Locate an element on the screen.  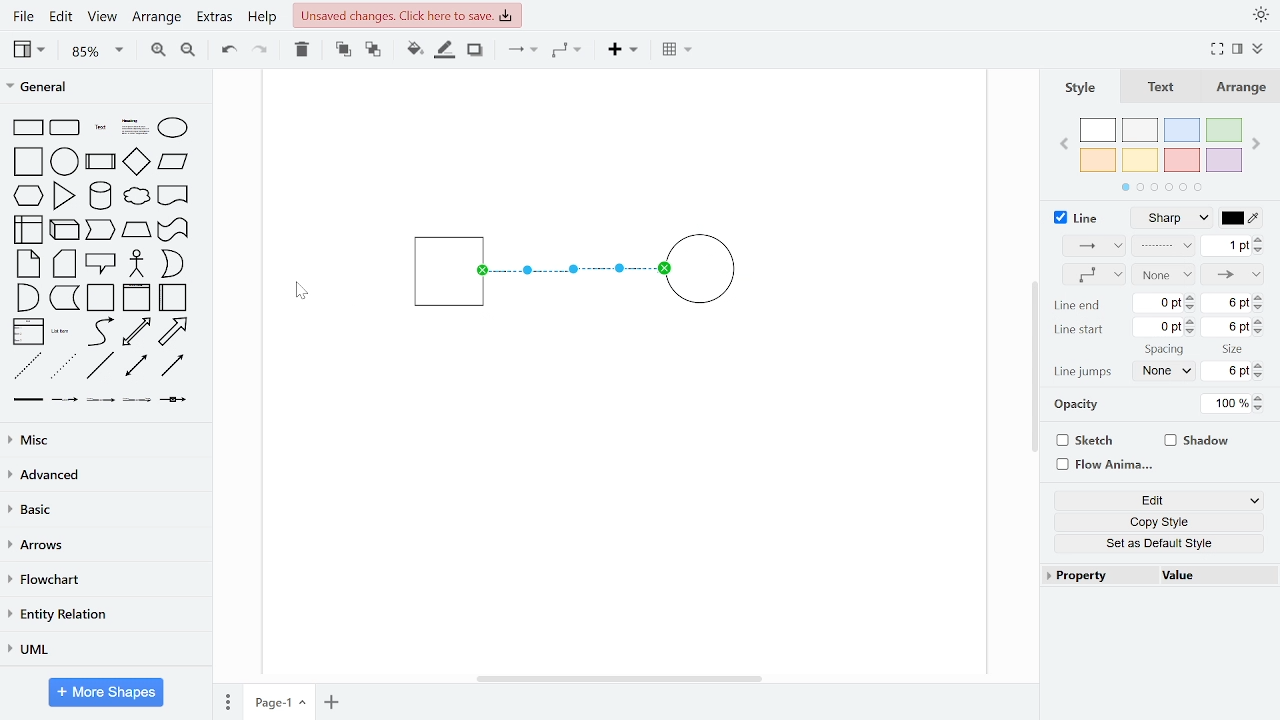
set as default style is located at coordinates (1159, 543).